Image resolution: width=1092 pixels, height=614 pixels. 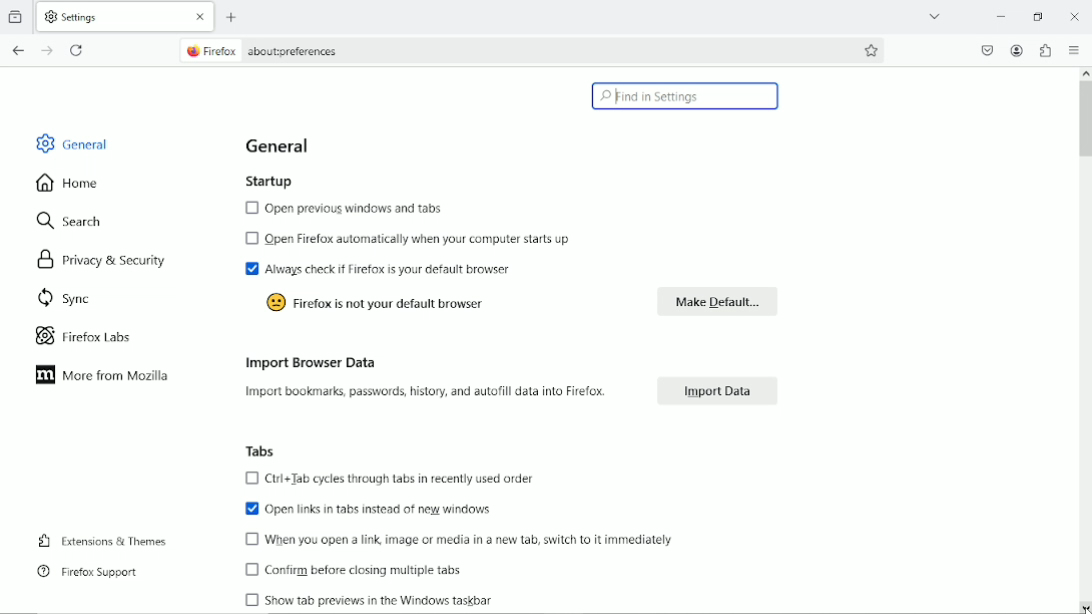 What do you see at coordinates (720, 302) in the screenshot?
I see `make default` at bounding box center [720, 302].